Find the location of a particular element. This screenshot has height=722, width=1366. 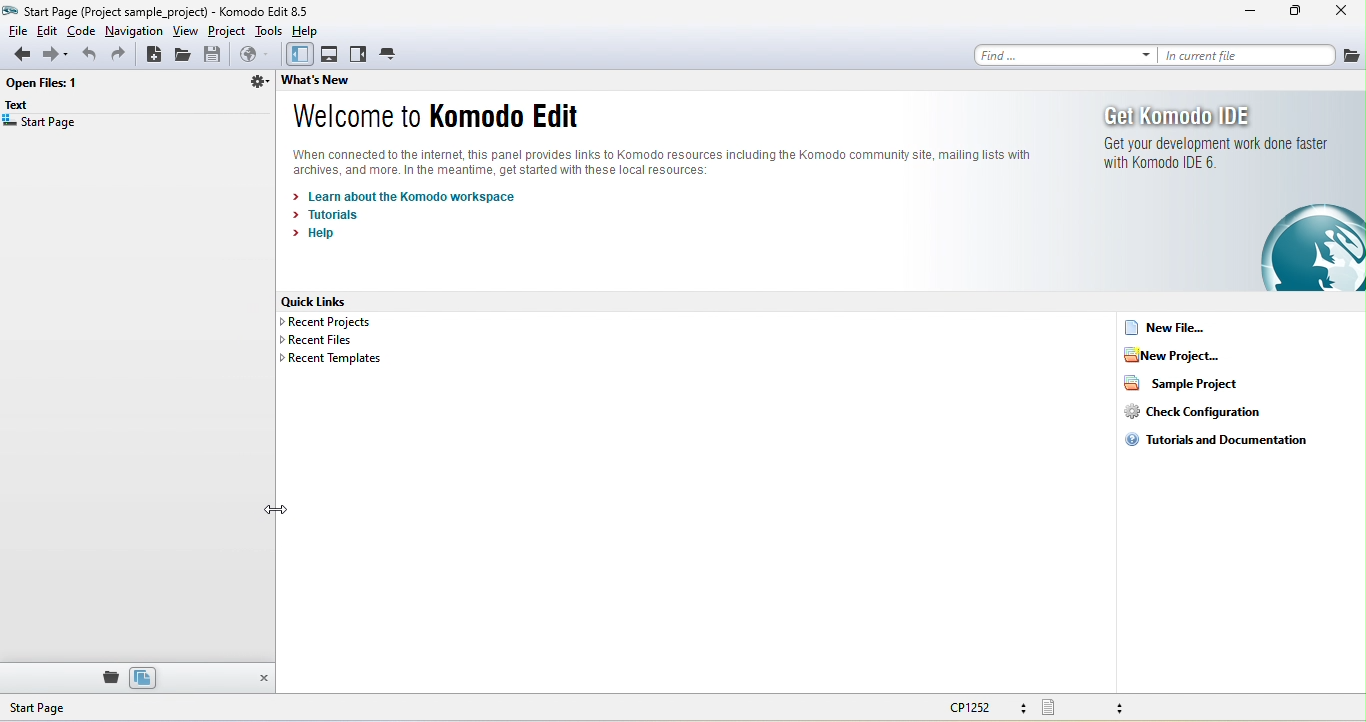

open file 1 is located at coordinates (47, 85).